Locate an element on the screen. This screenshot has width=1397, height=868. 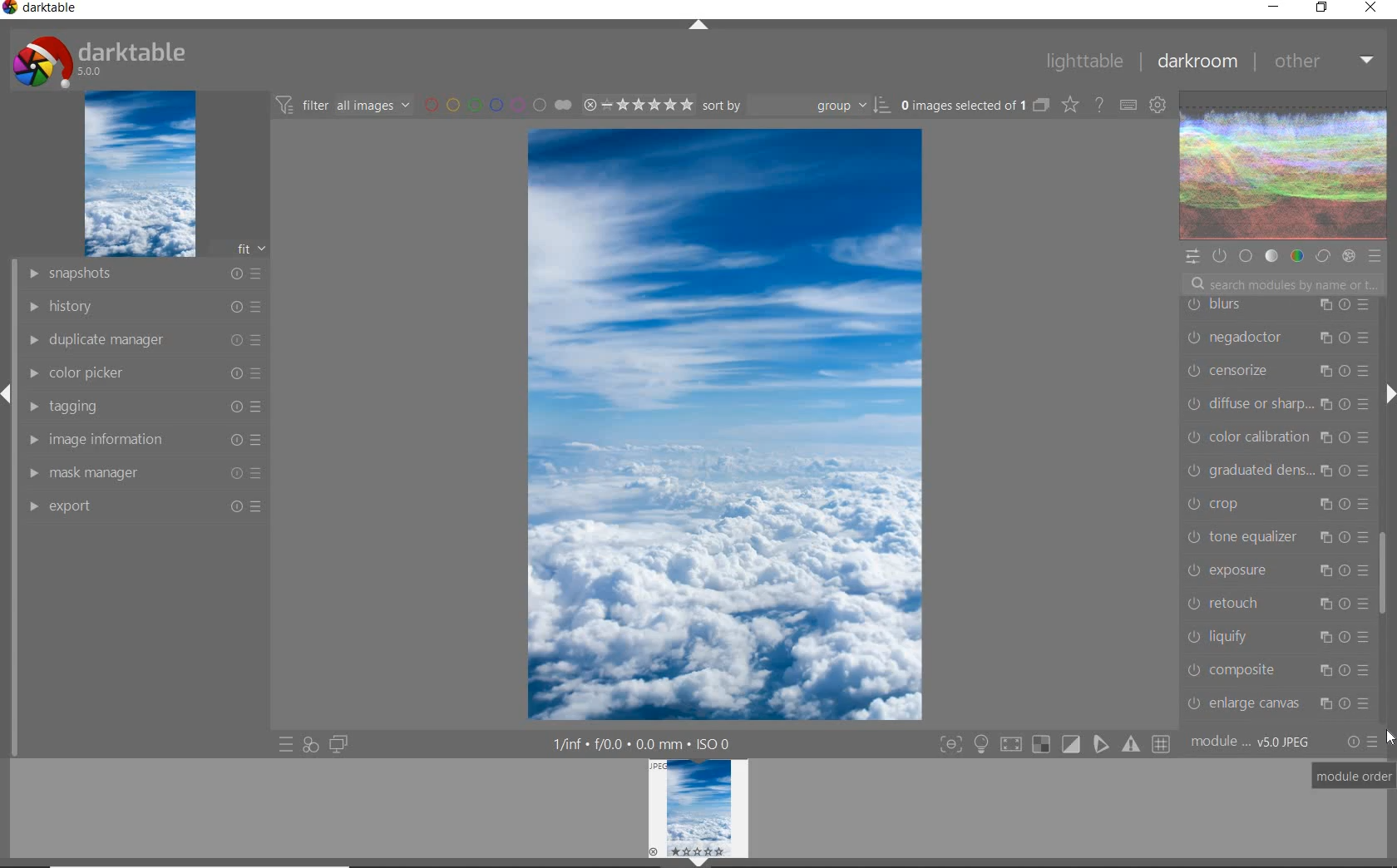
censorize is located at coordinates (1276, 372).